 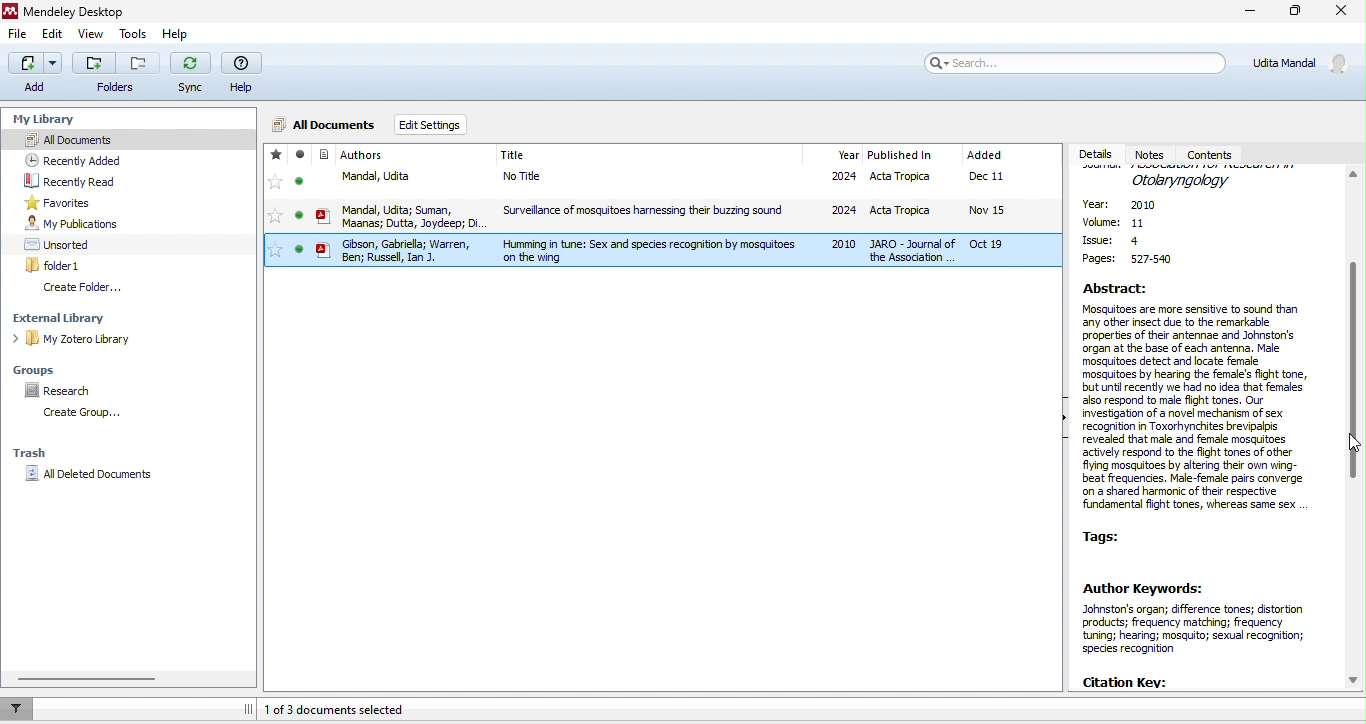 I want to click on research, so click(x=63, y=391).